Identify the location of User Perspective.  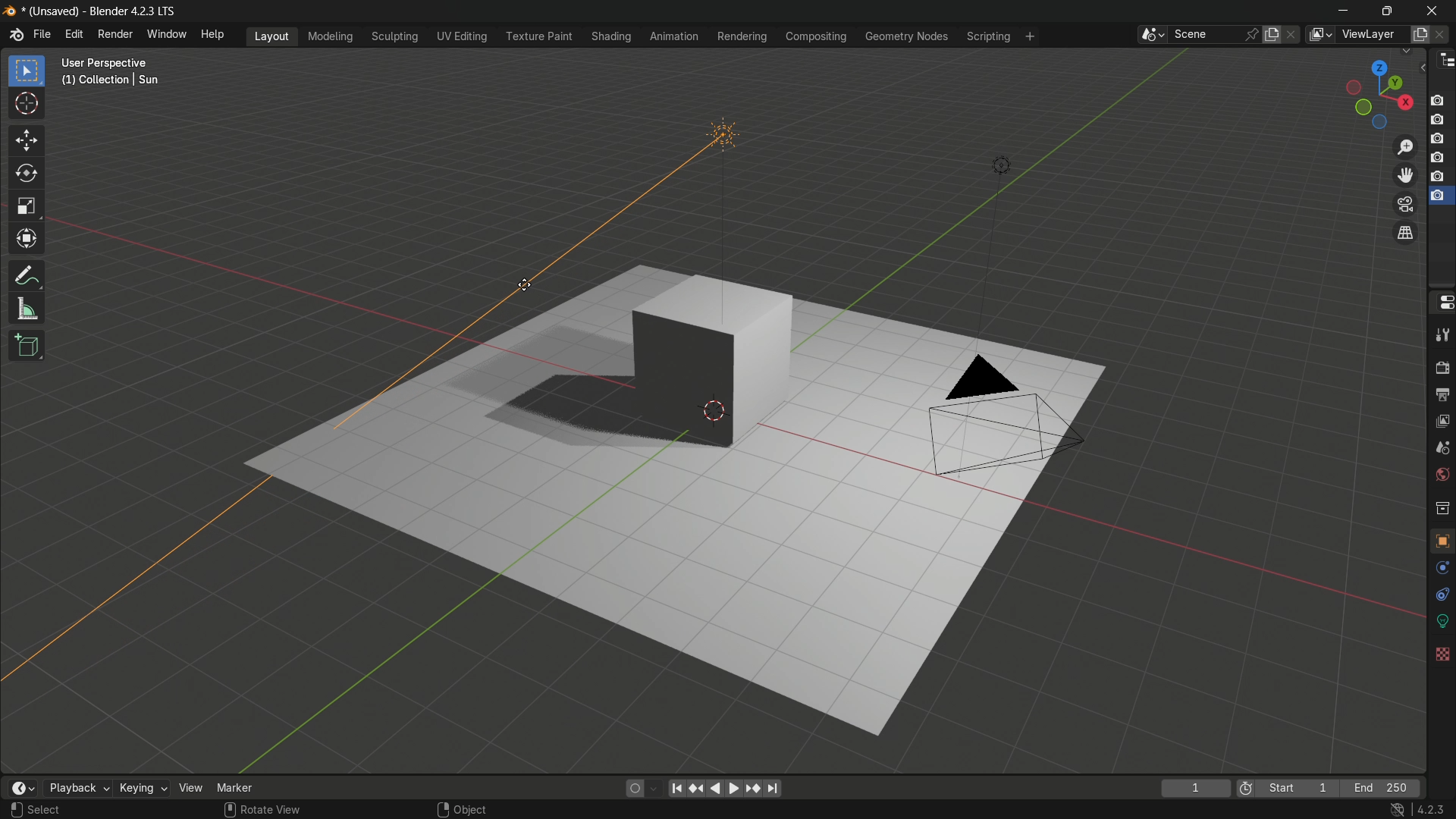
(109, 63).